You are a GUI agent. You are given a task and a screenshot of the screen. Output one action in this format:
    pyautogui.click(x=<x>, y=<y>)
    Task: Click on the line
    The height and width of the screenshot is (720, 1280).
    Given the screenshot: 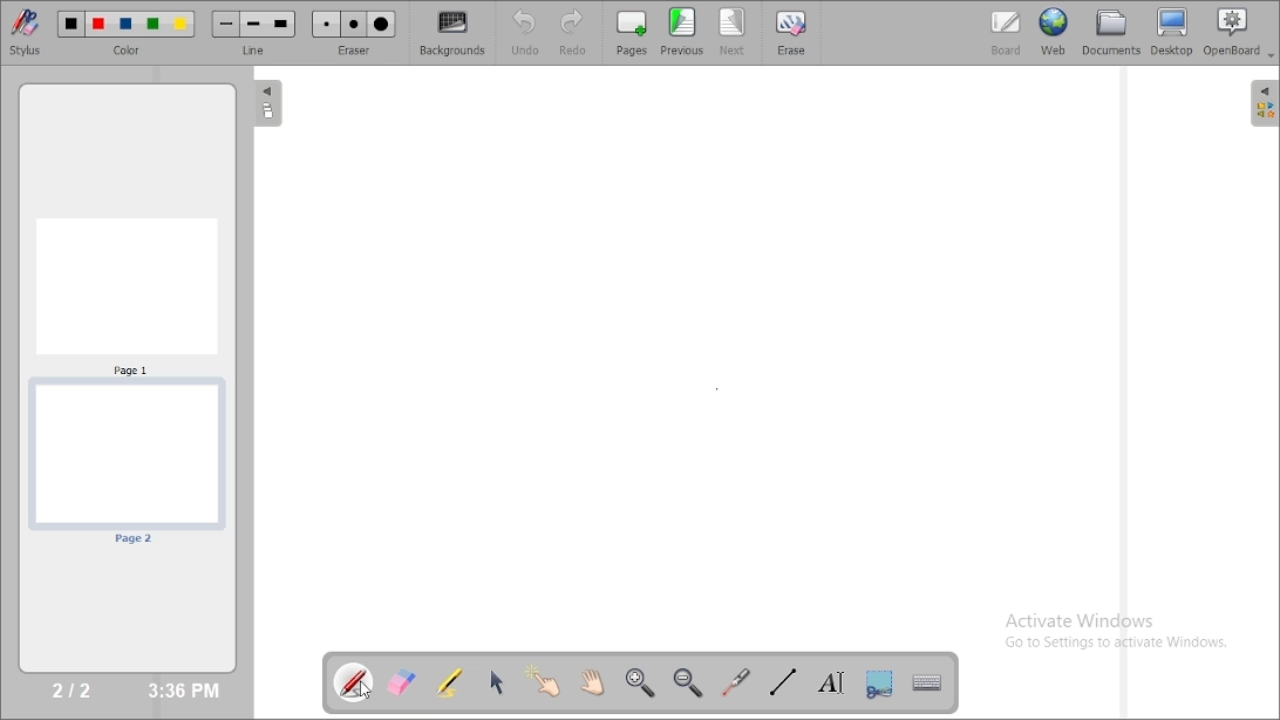 What is the action you would take?
    pyautogui.click(x=256, y=50)
    